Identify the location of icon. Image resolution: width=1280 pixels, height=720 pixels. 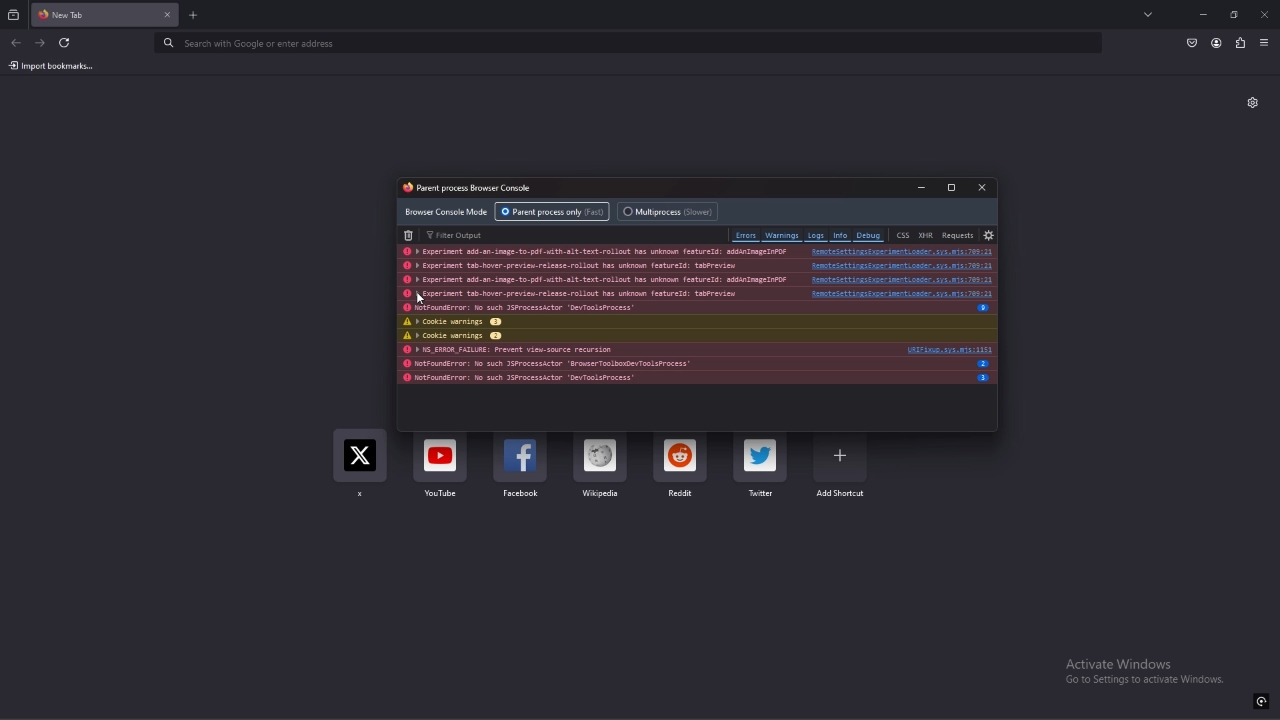
(1261, 701).